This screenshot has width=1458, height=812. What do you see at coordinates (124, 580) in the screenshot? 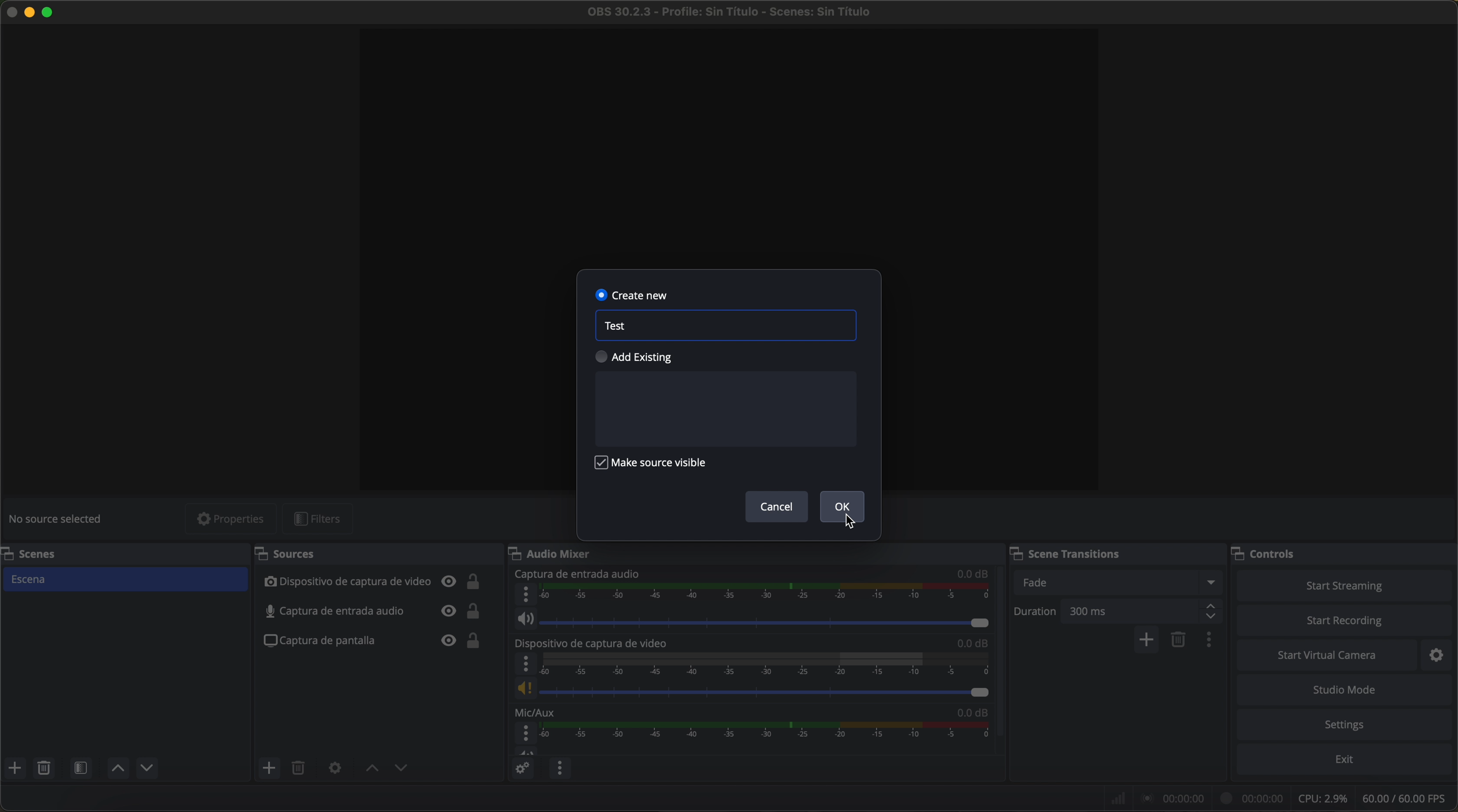
I see `scene` at bounding box center [124, 580].